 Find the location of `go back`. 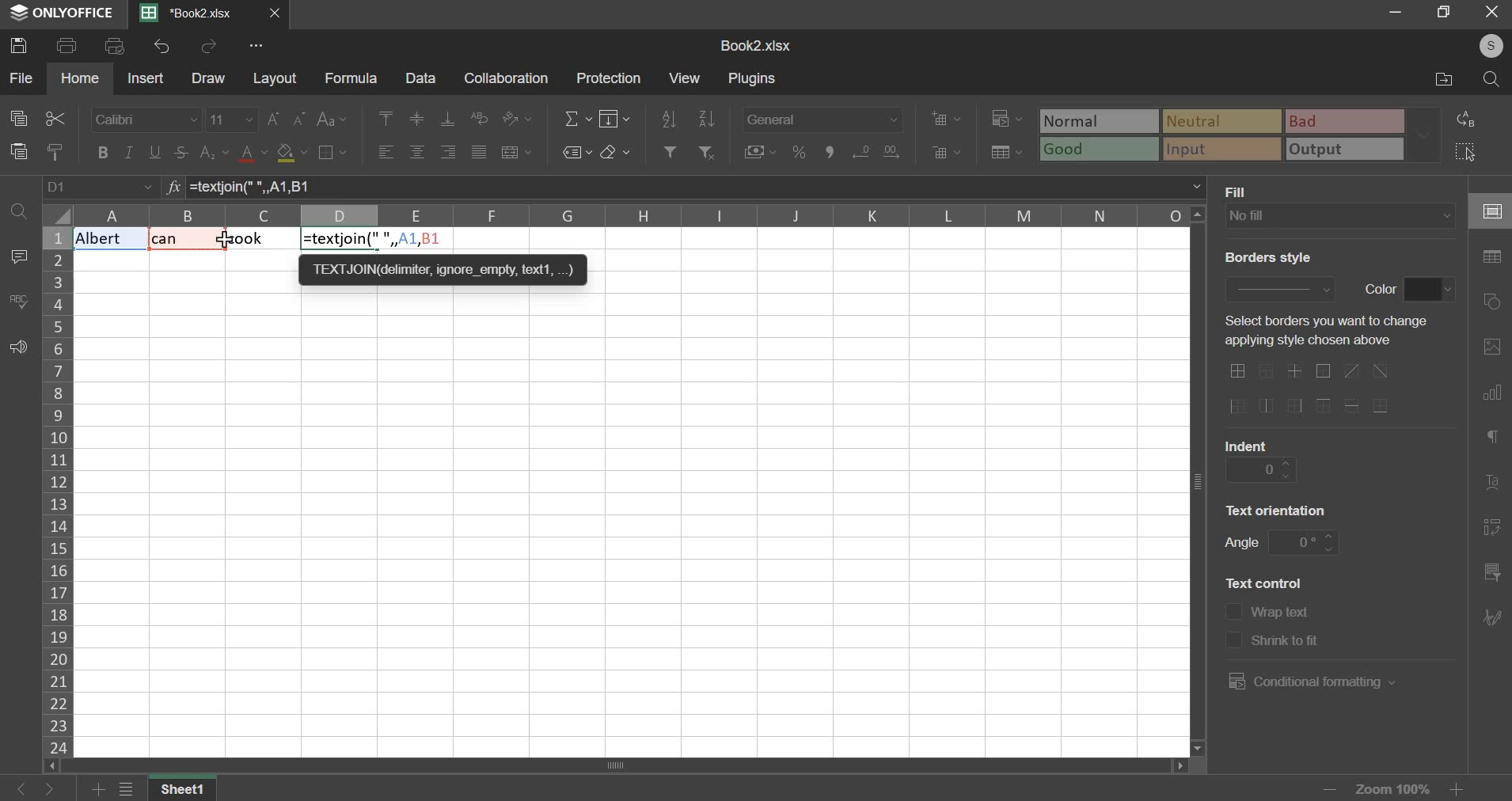

go back is located at coordinates (20, 788).